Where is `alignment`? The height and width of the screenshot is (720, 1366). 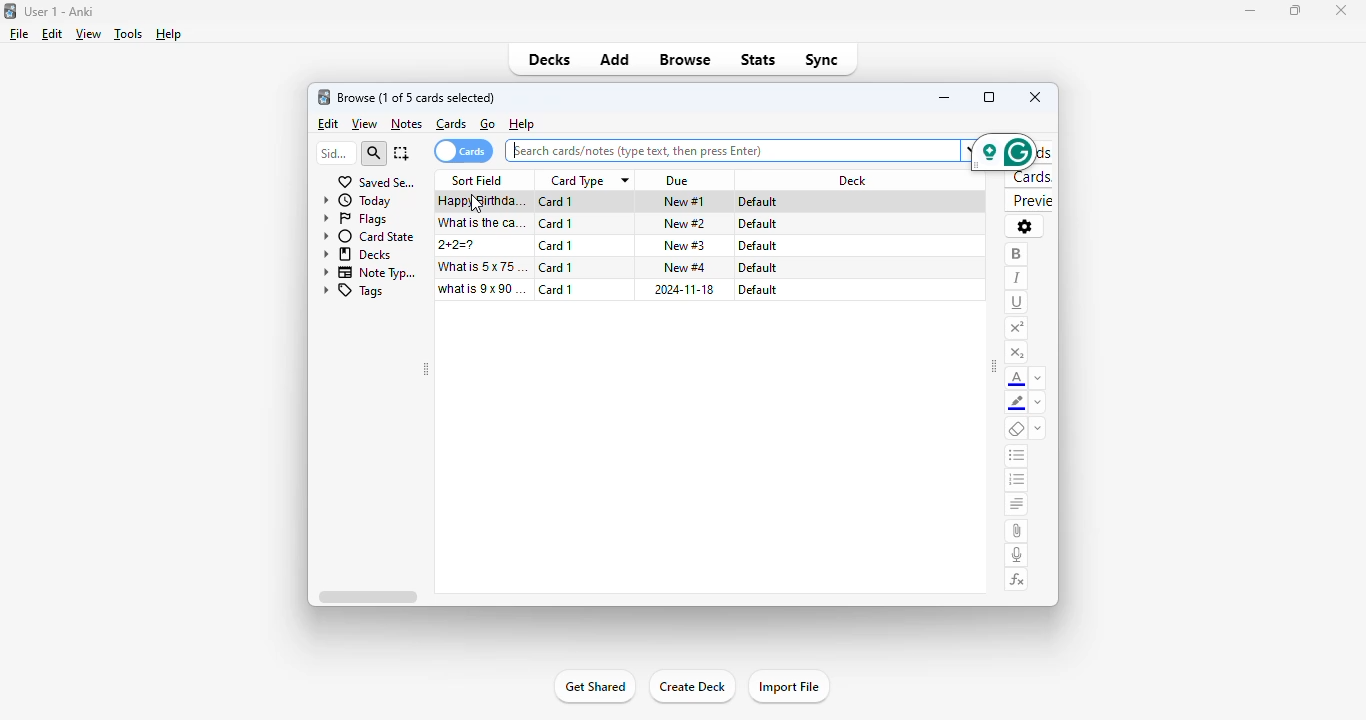 alignment is located at coordinates (1017, 505).